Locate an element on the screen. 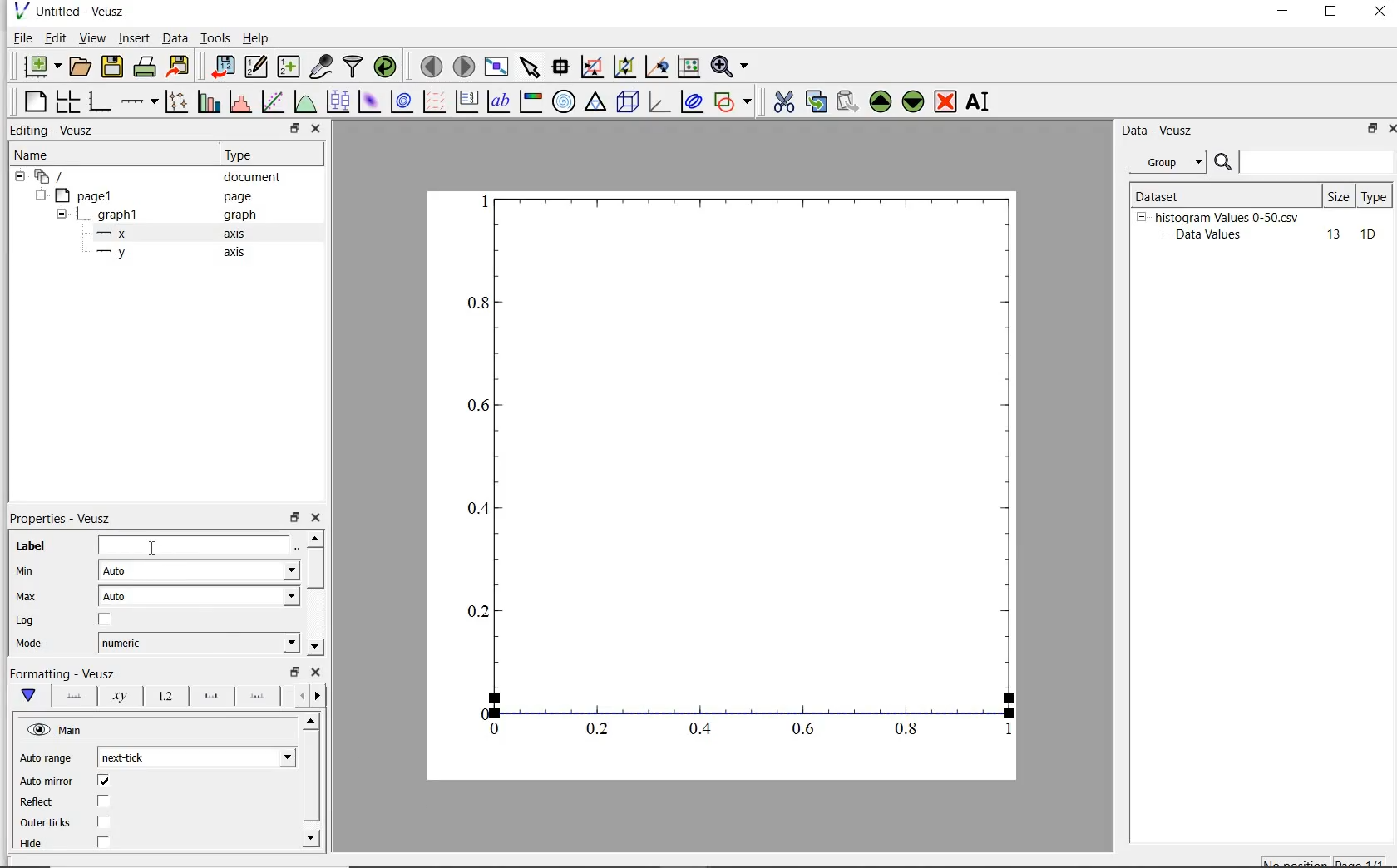 The image size is (1397, 868). editing-veusz is located at coordinates (52, 131).